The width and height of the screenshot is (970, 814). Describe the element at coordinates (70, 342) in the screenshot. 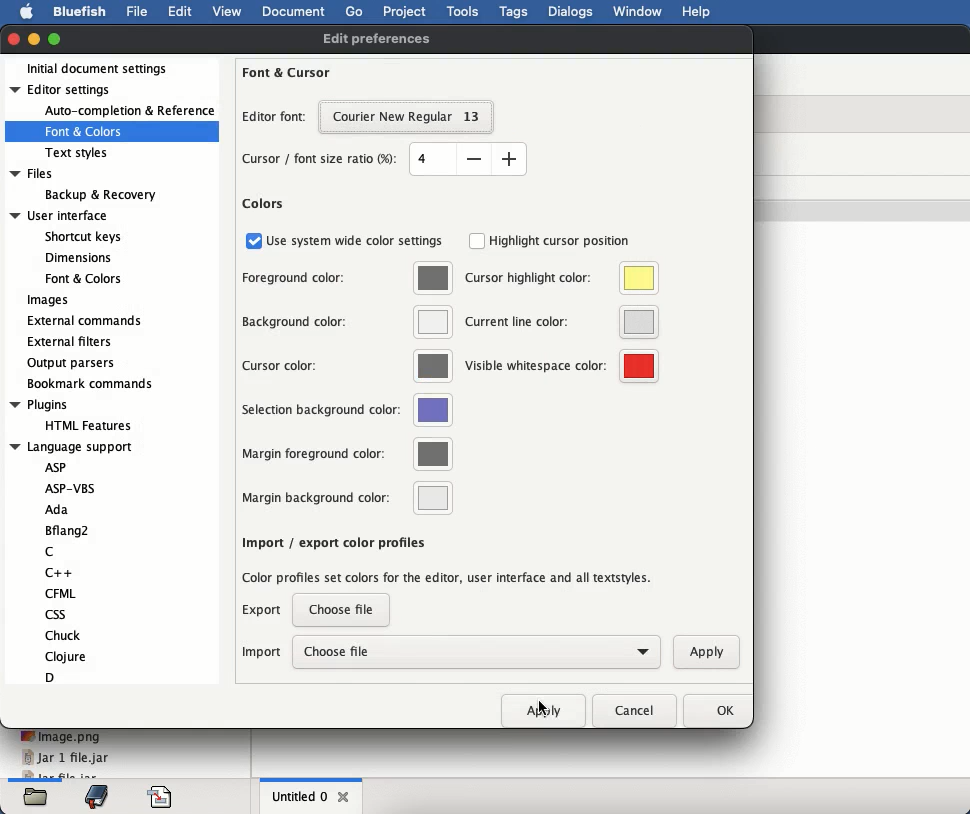

I see `external filters ` at that location.